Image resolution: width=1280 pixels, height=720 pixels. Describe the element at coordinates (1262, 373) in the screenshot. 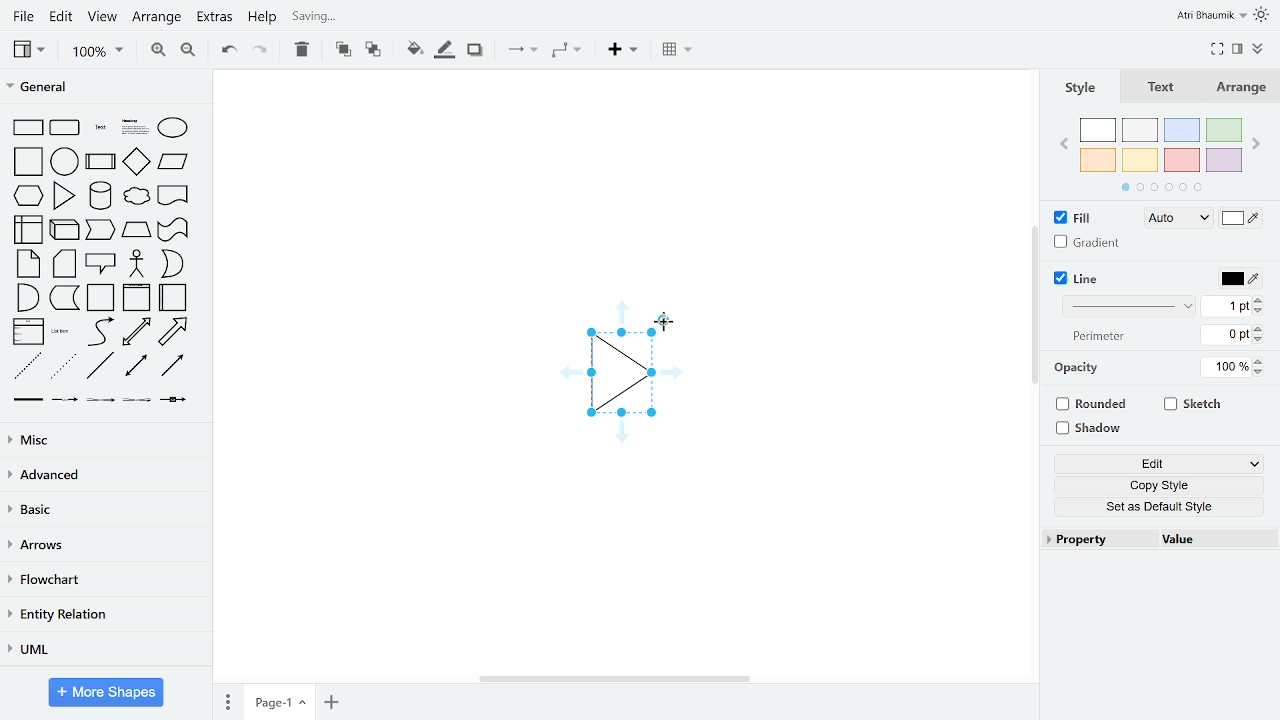

I see `decrease opacity` at that location.